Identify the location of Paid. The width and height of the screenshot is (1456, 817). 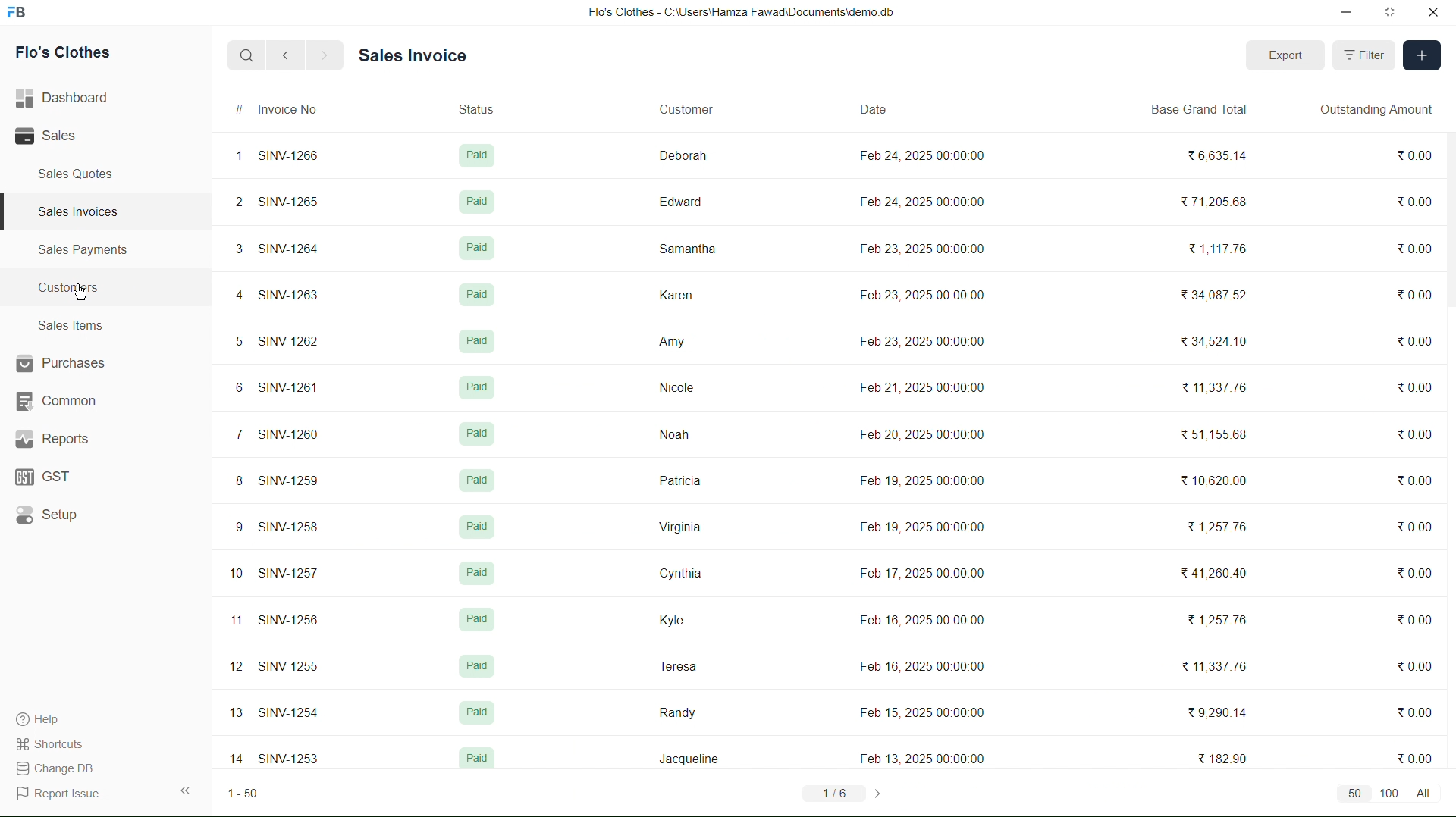
(470, 480).